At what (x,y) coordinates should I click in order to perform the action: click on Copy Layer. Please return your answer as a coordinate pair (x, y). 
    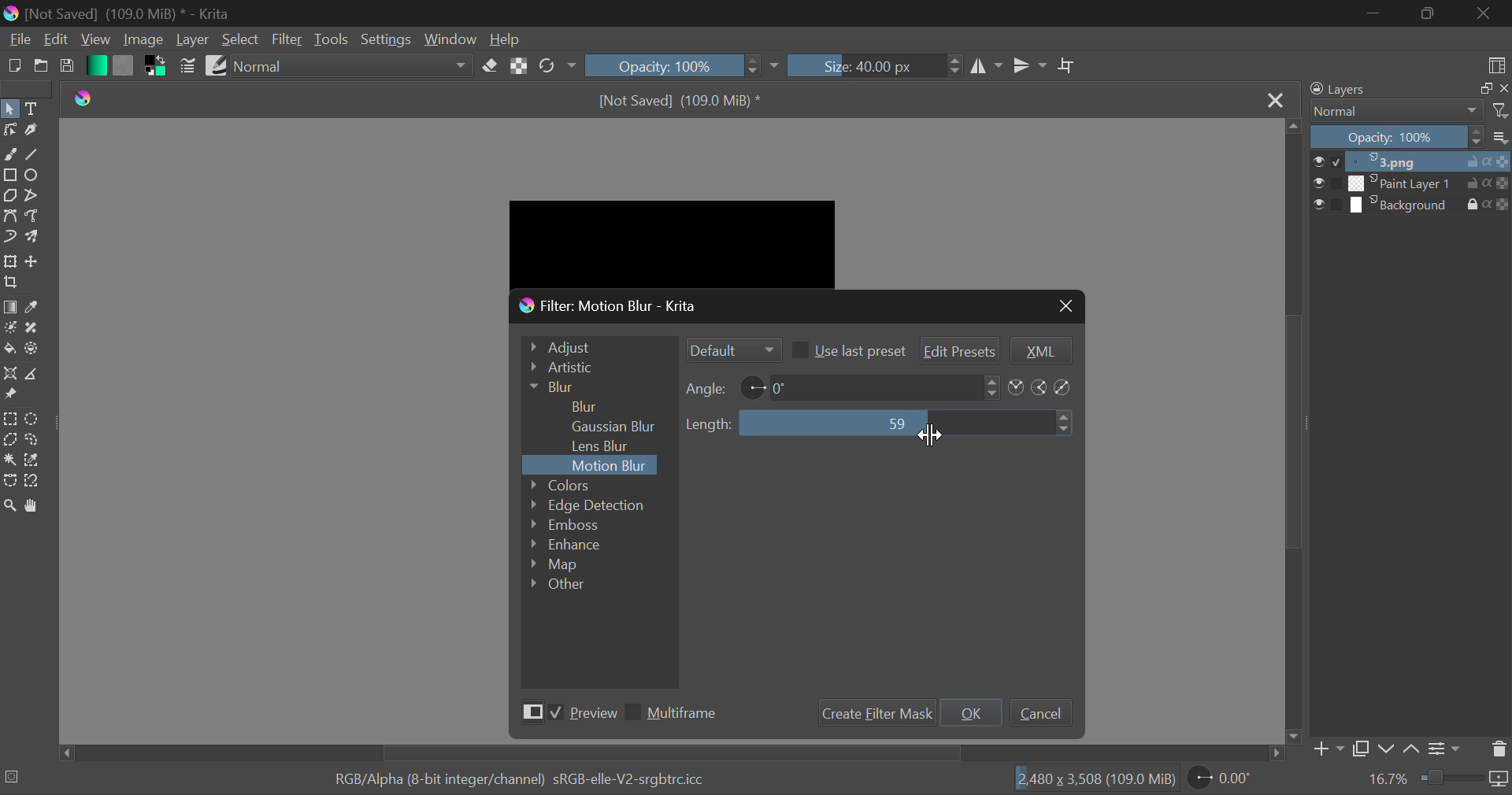
    Looking at the image, I should click on (1361, 749).